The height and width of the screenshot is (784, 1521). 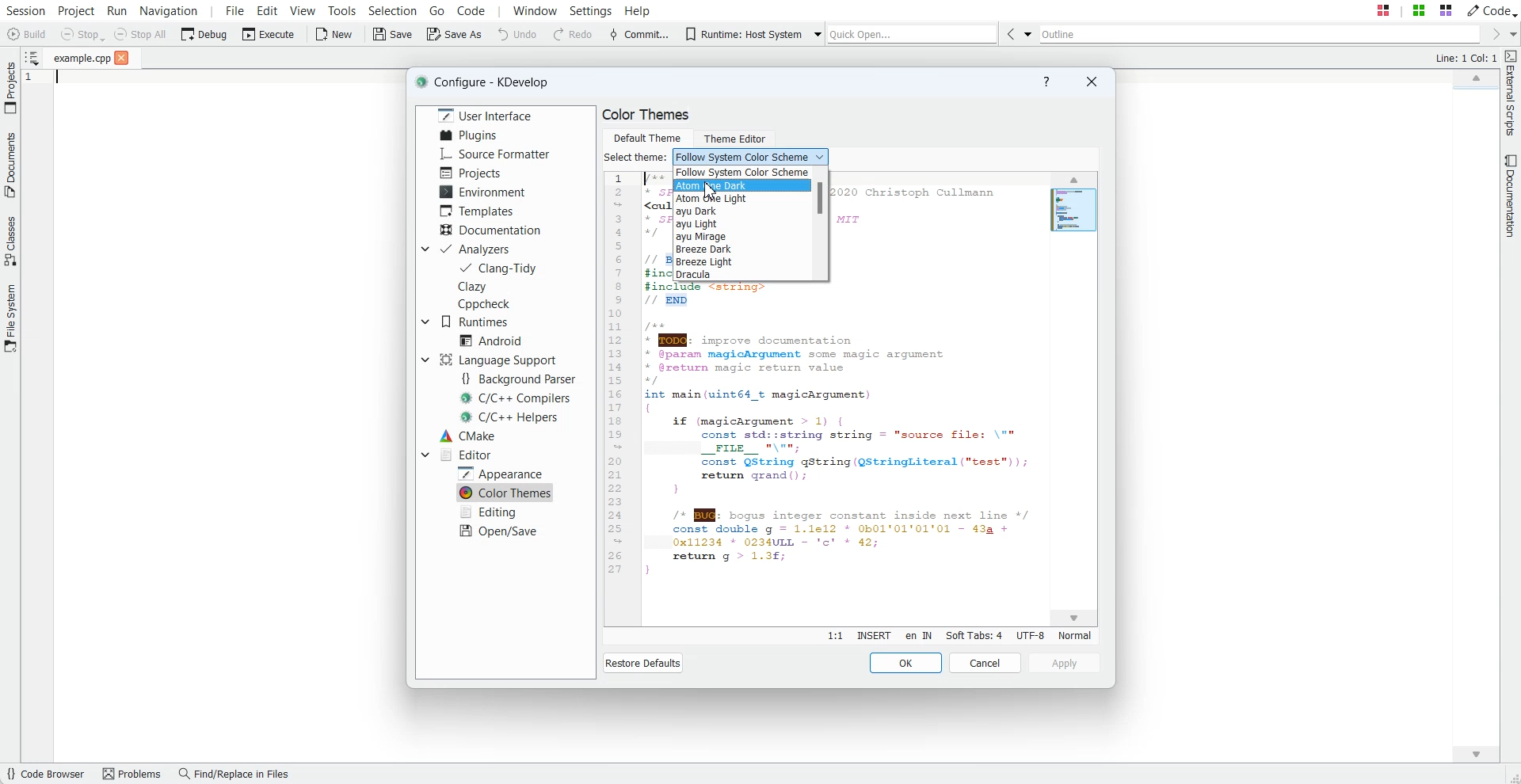 What do you see at coordinates (1076, 210) in the screenshot?
I see `File overview` at bounding box center [1076, 210].